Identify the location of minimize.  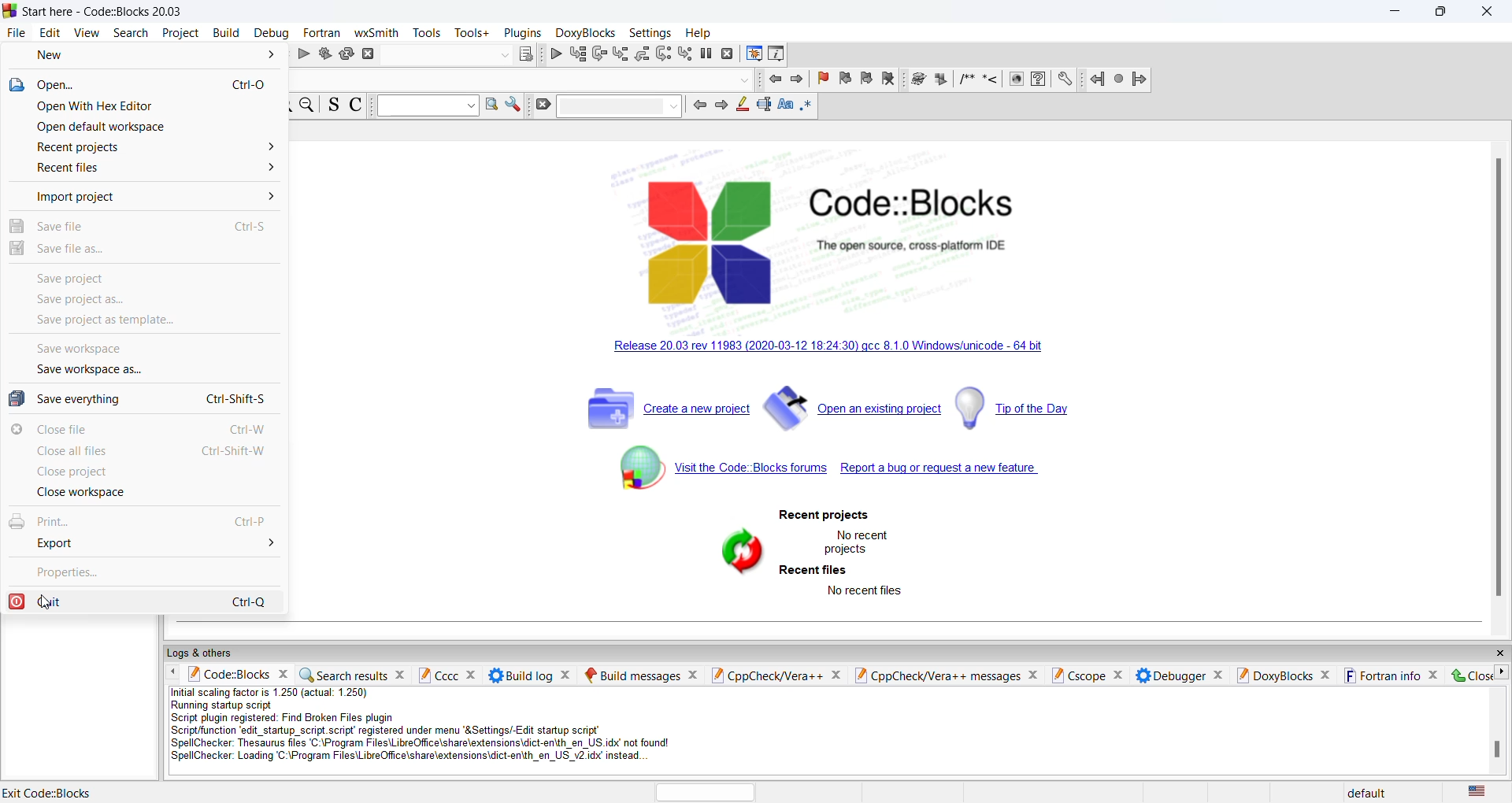
(1397, 12).